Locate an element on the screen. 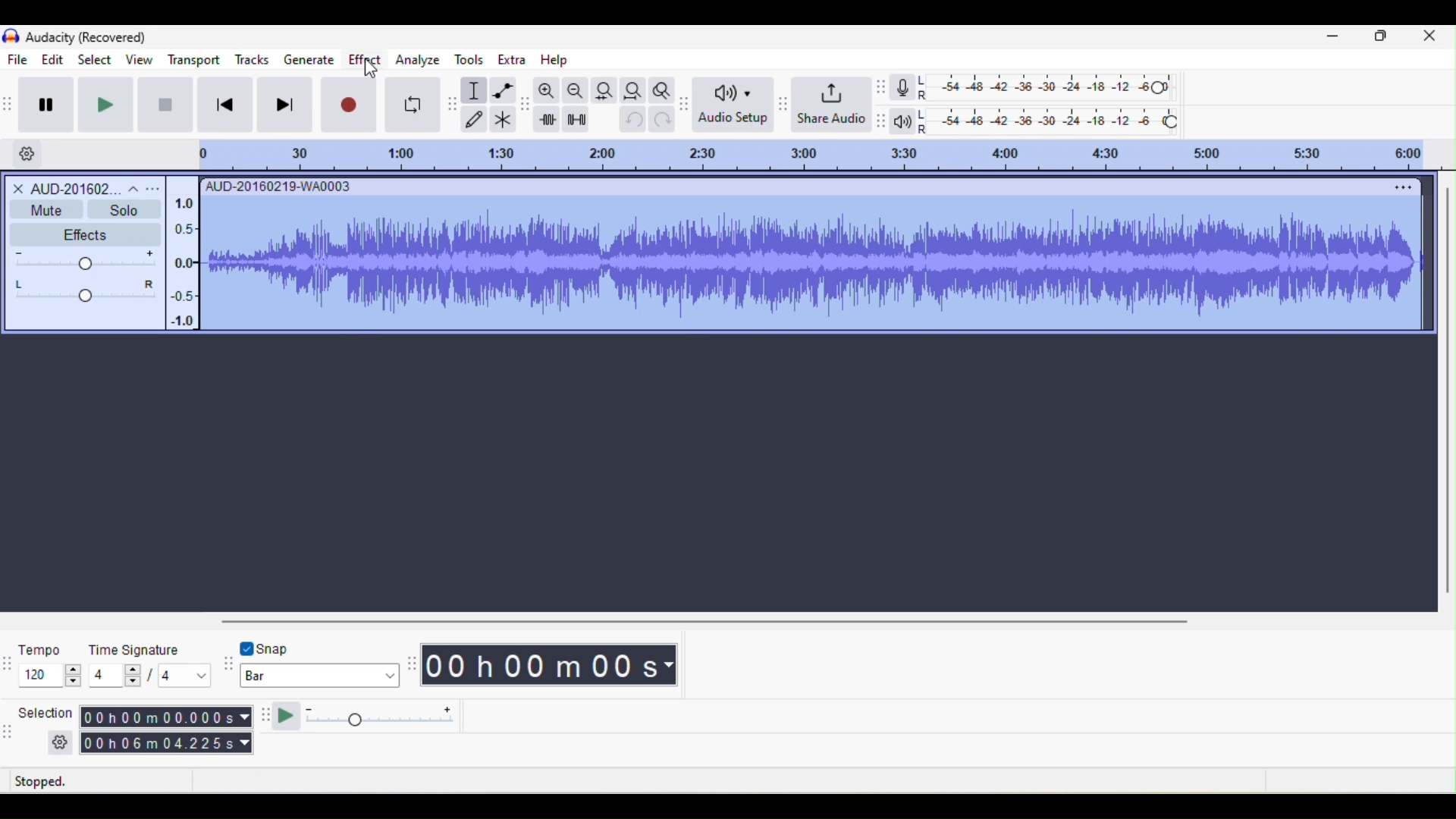  collapse is located at coordinates (130, 187).